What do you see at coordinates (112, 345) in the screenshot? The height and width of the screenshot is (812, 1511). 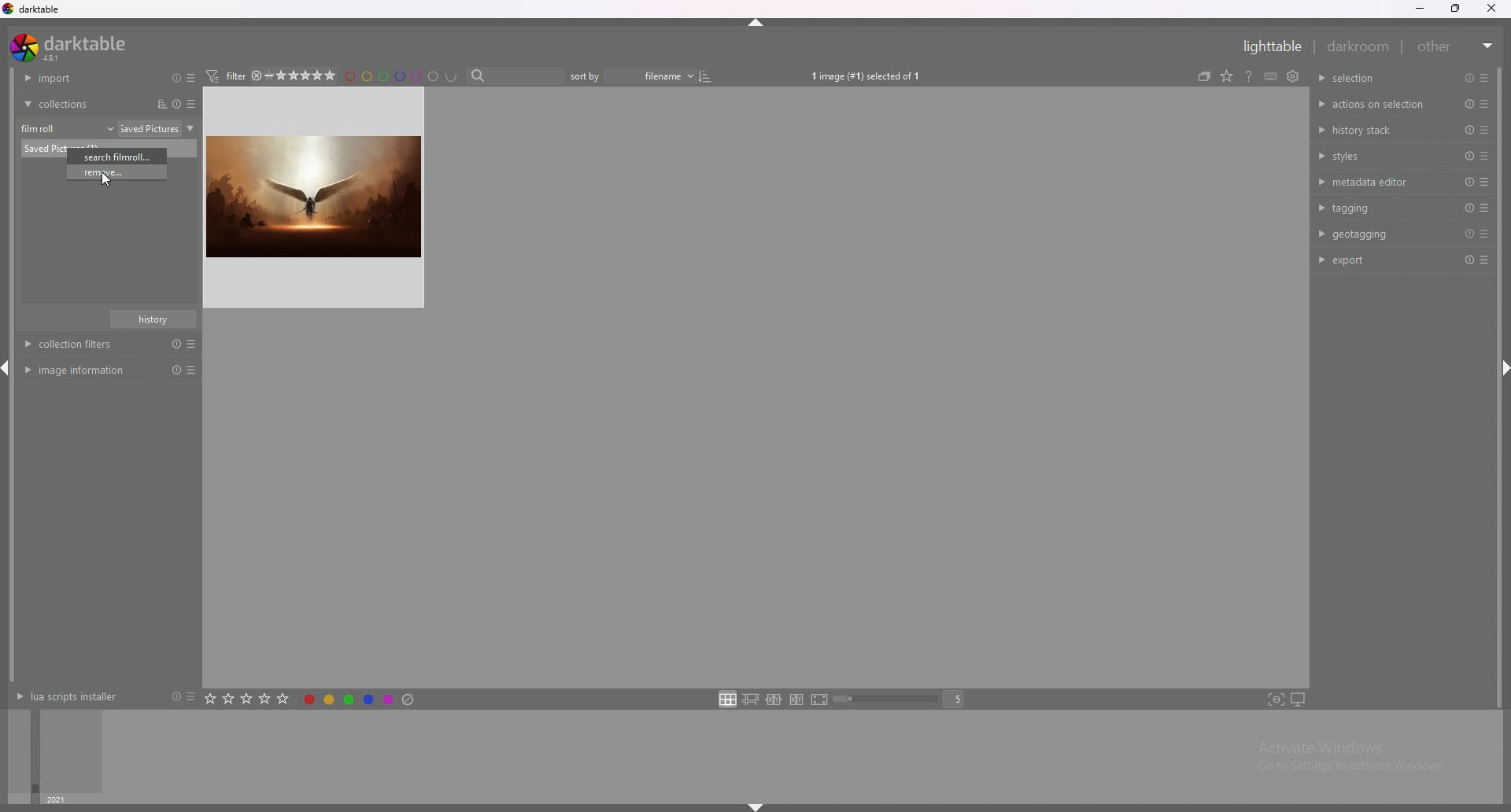 I see `Collection filters` at bounding box center [112, 345].